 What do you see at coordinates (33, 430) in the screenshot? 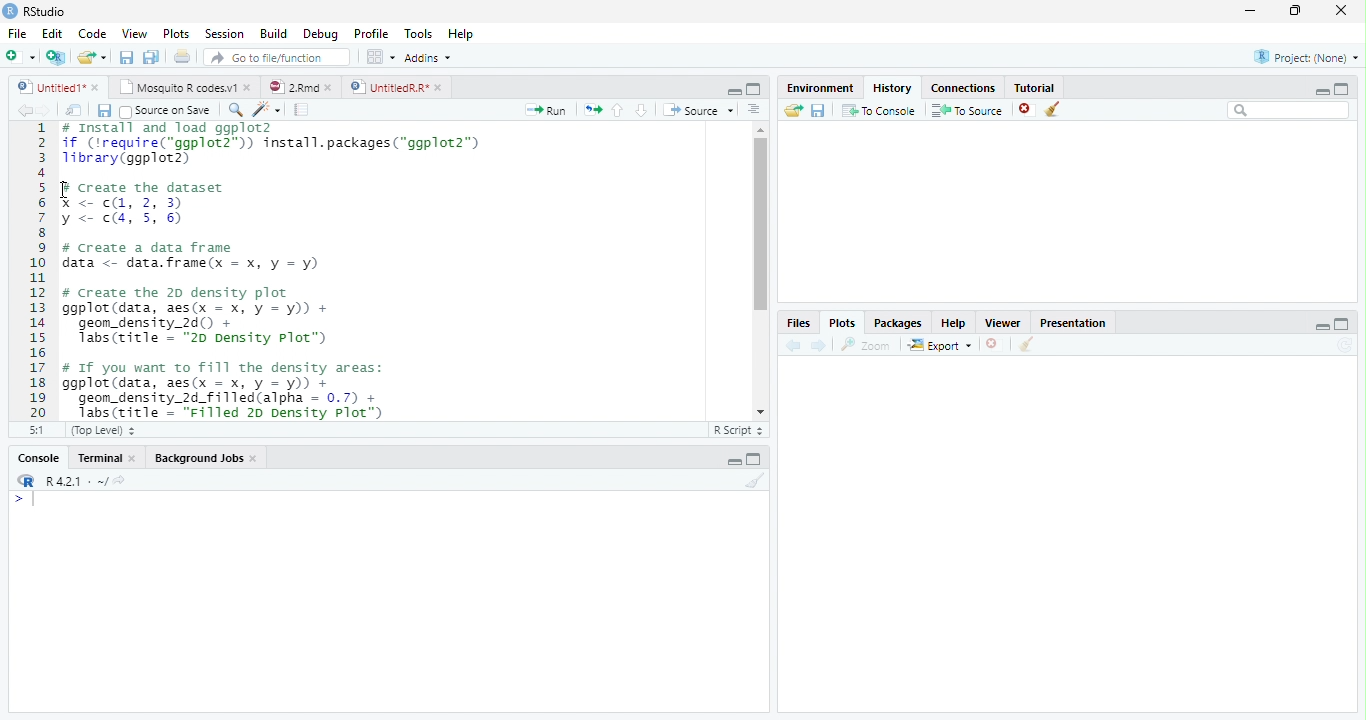
I see `5:1` at bounding box center [33, 430].